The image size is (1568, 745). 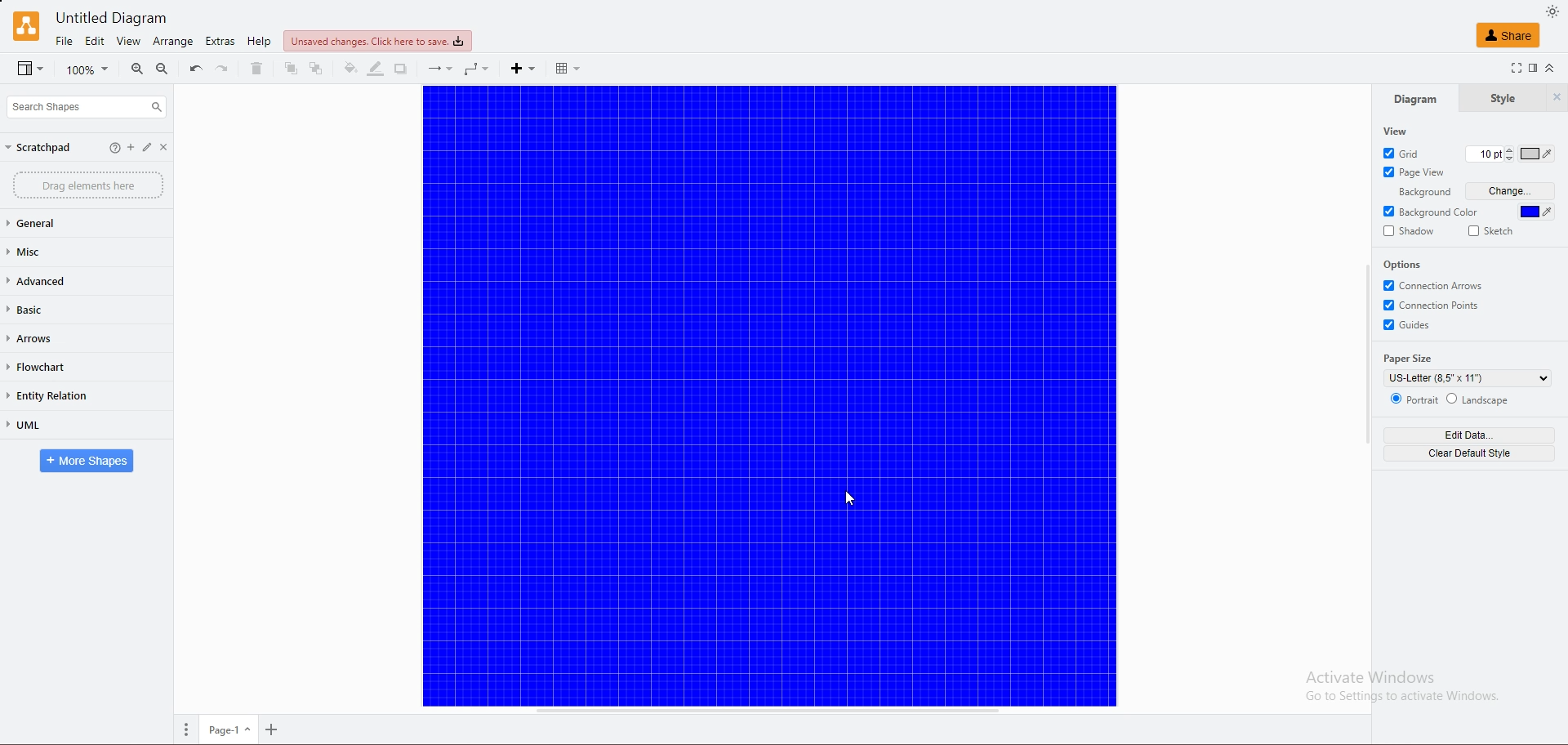 What do you see at coordinates (1491, 231) in the screenshot?
I see `sketch` at bounding box center [1491, 231].